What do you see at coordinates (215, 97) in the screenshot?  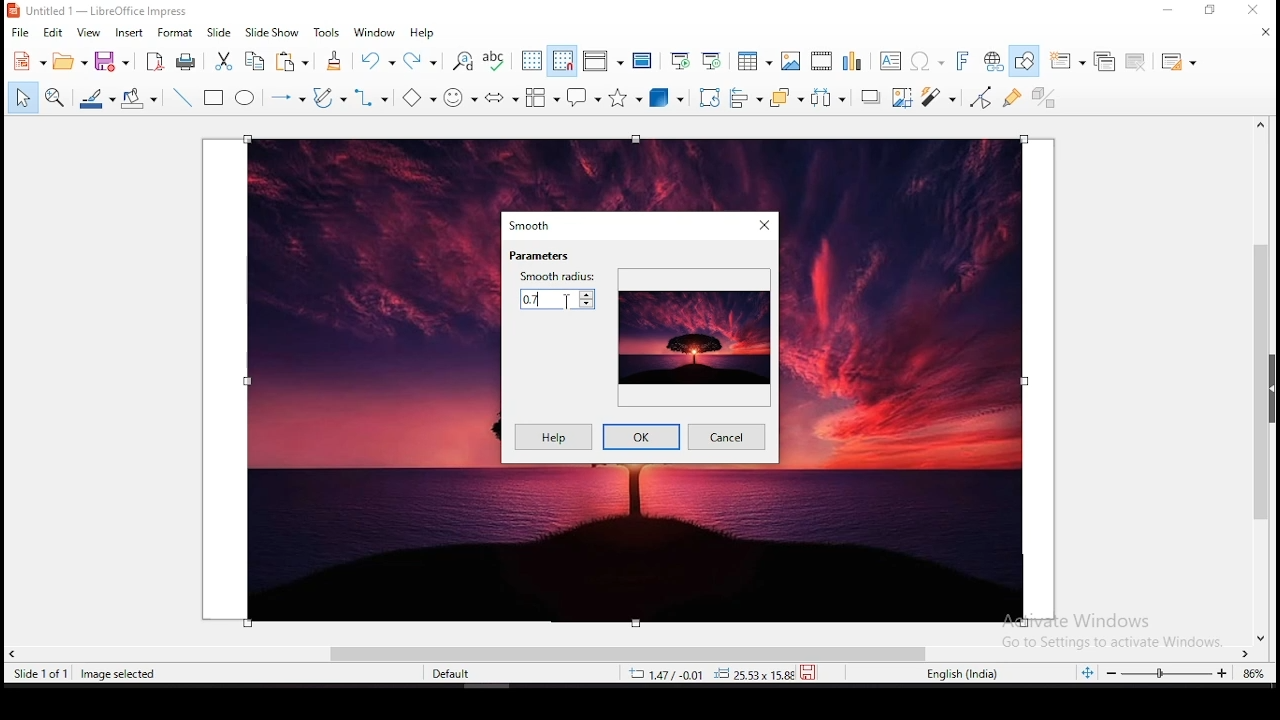 I see `rectangle tool` at bounding box center [215, 97].